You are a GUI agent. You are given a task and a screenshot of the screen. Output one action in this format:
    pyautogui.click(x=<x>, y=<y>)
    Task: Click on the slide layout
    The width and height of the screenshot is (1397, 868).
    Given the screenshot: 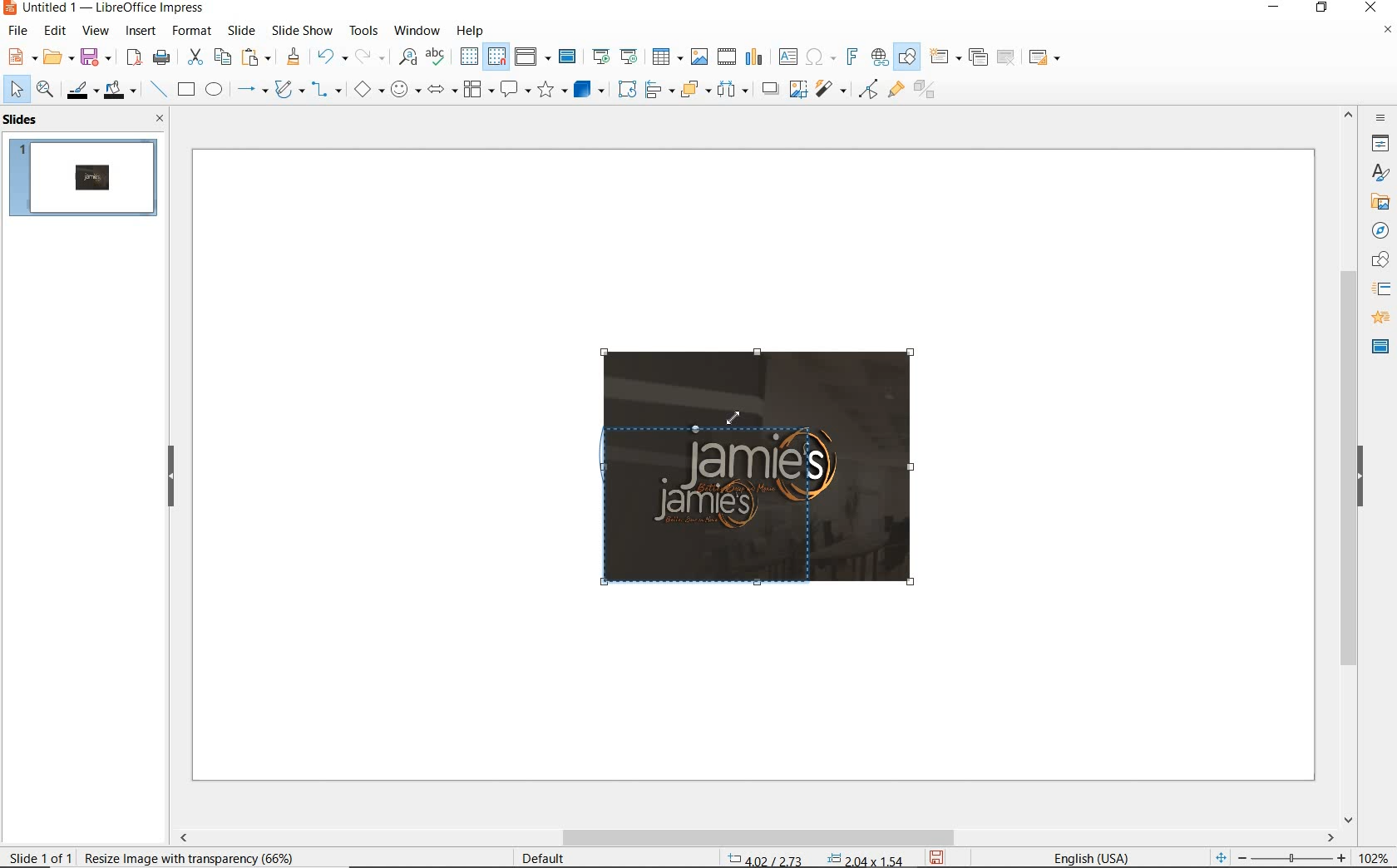 What is the action you would take?
    pyautogui.click(x=1045, y=58)
    